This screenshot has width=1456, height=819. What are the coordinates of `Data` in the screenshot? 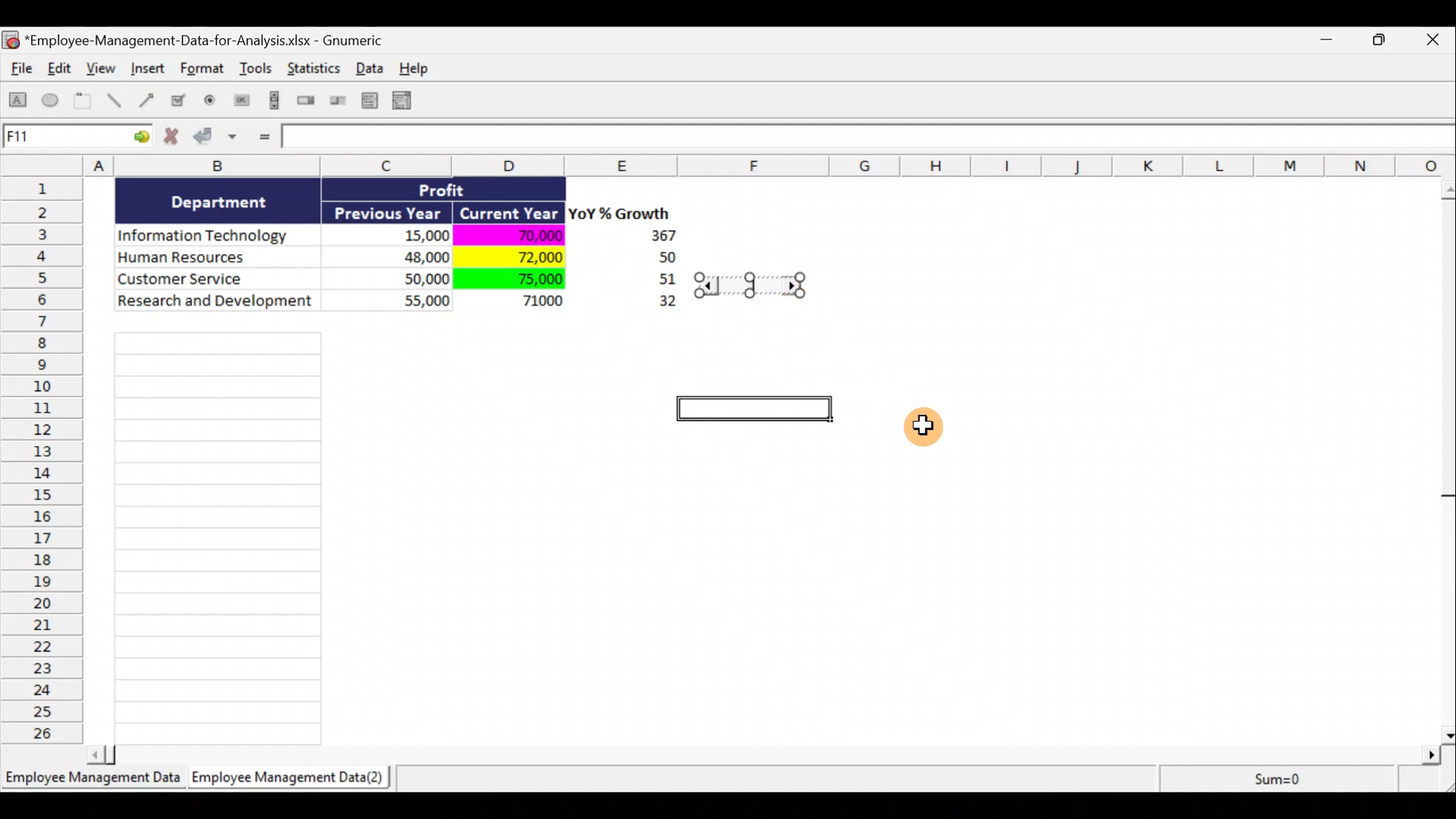 It's located at (374, 67).